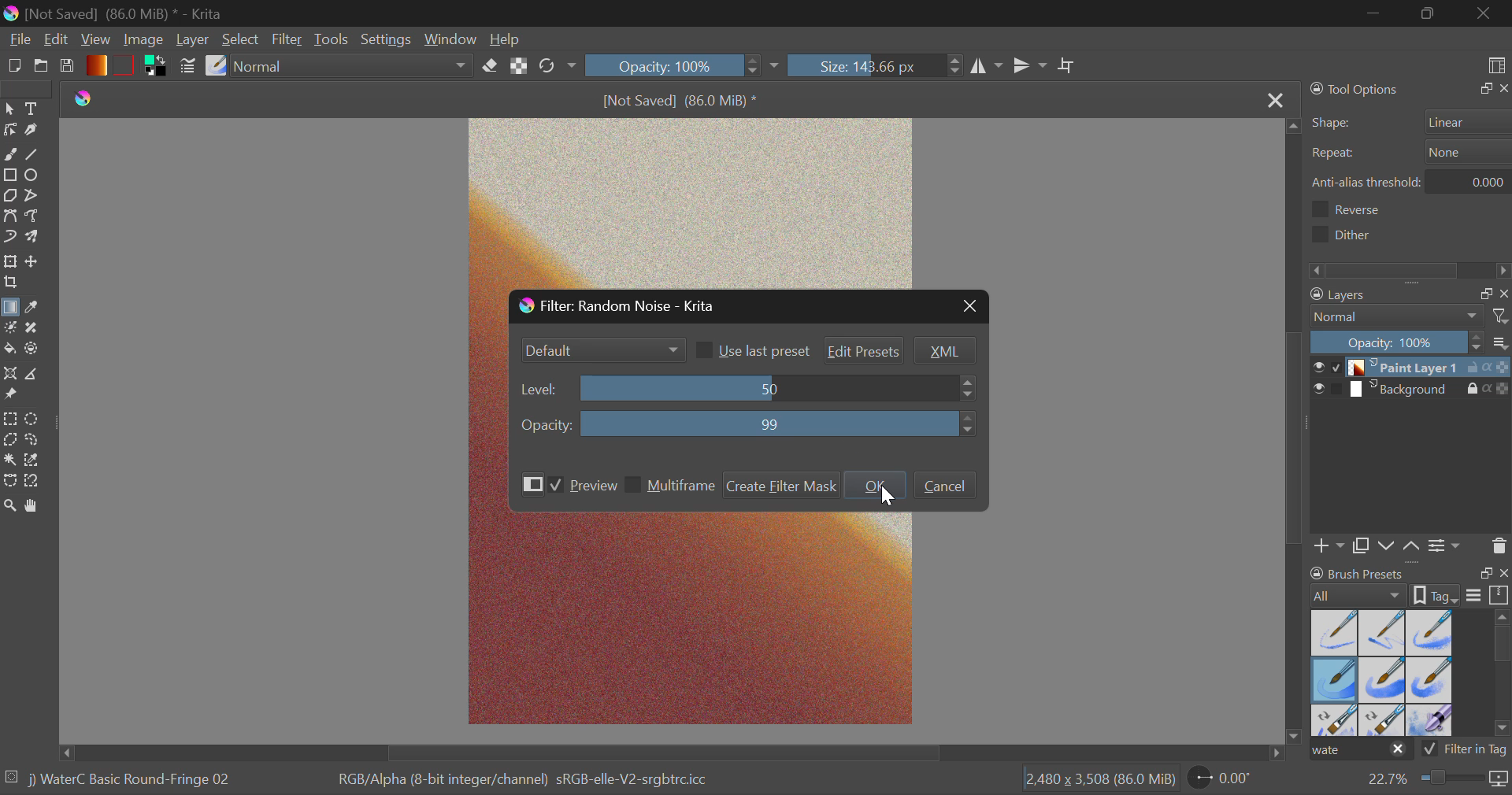  Describe the element at coordinates (1296, 425) in the screenshot. I see `Scroll Bar` at that location.